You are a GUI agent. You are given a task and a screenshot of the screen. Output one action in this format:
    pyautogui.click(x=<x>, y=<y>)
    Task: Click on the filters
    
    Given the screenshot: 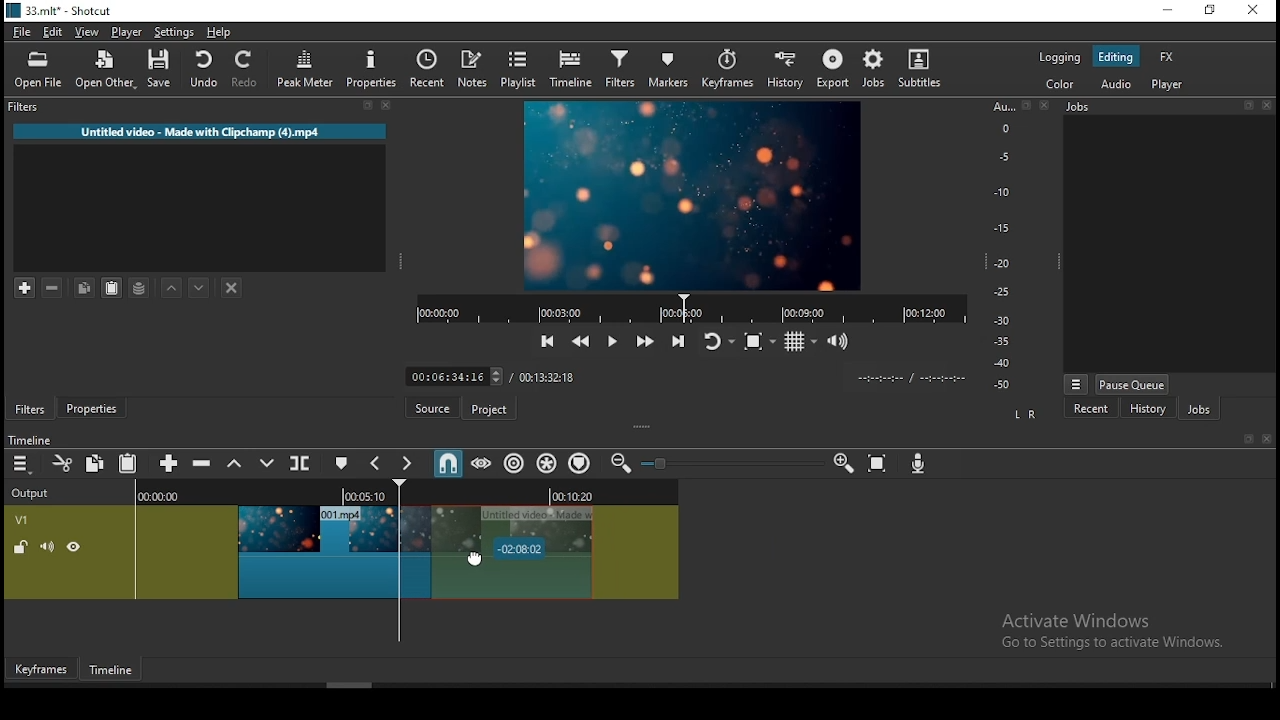 What is the action you would take?
    pyautogui.click(x=21, y=107)
    